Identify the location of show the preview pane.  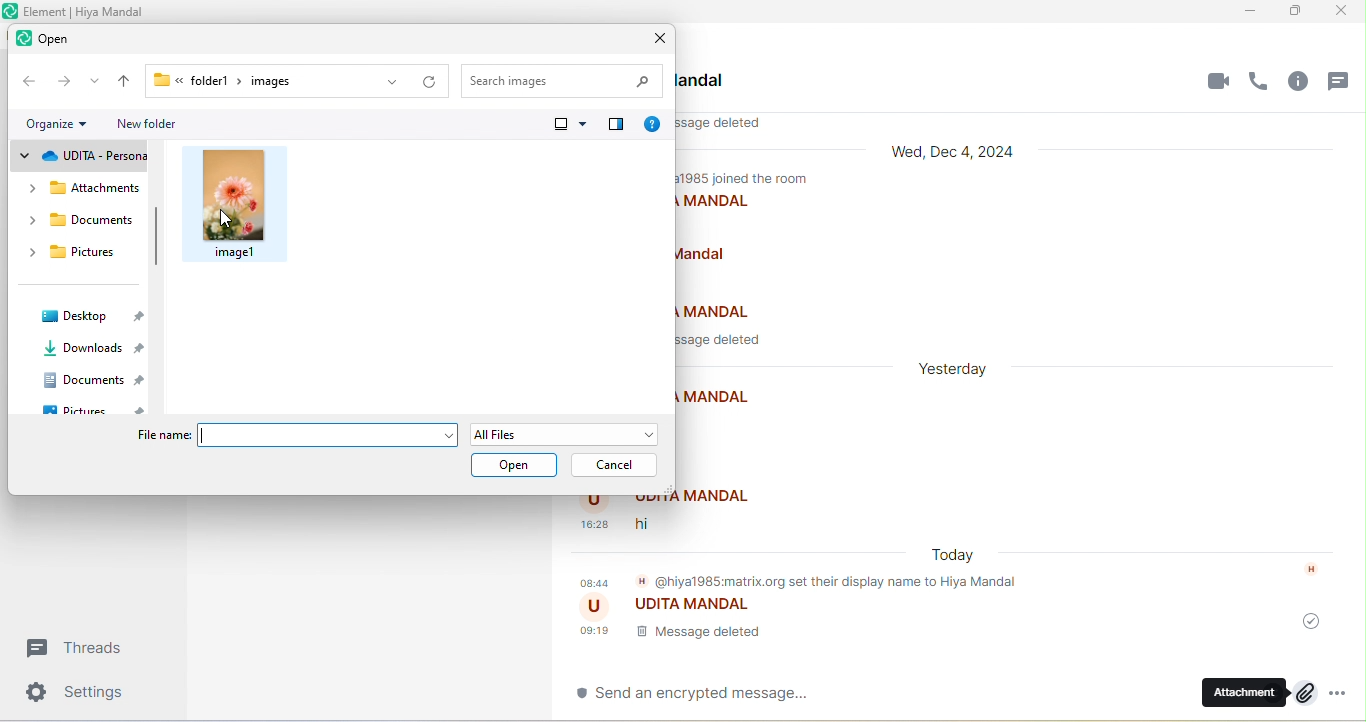
(614, 124).